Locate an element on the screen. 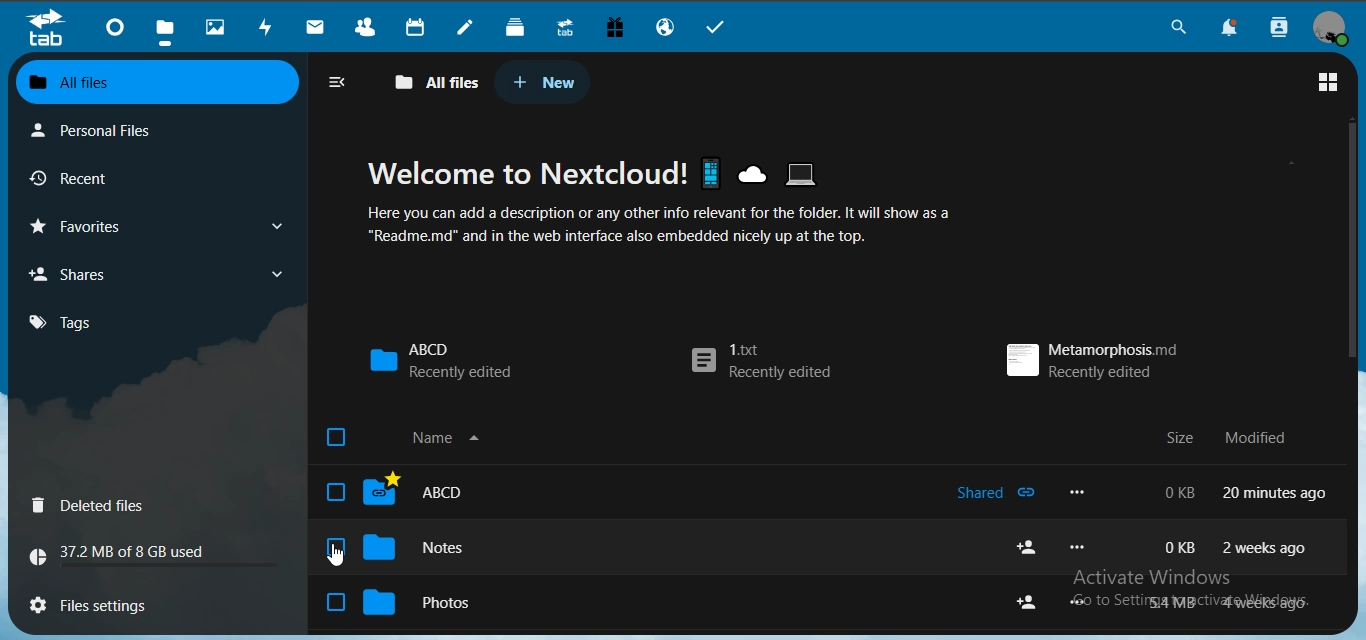 The image size is (1366, 640). recent is located at coordinates (106, 177).